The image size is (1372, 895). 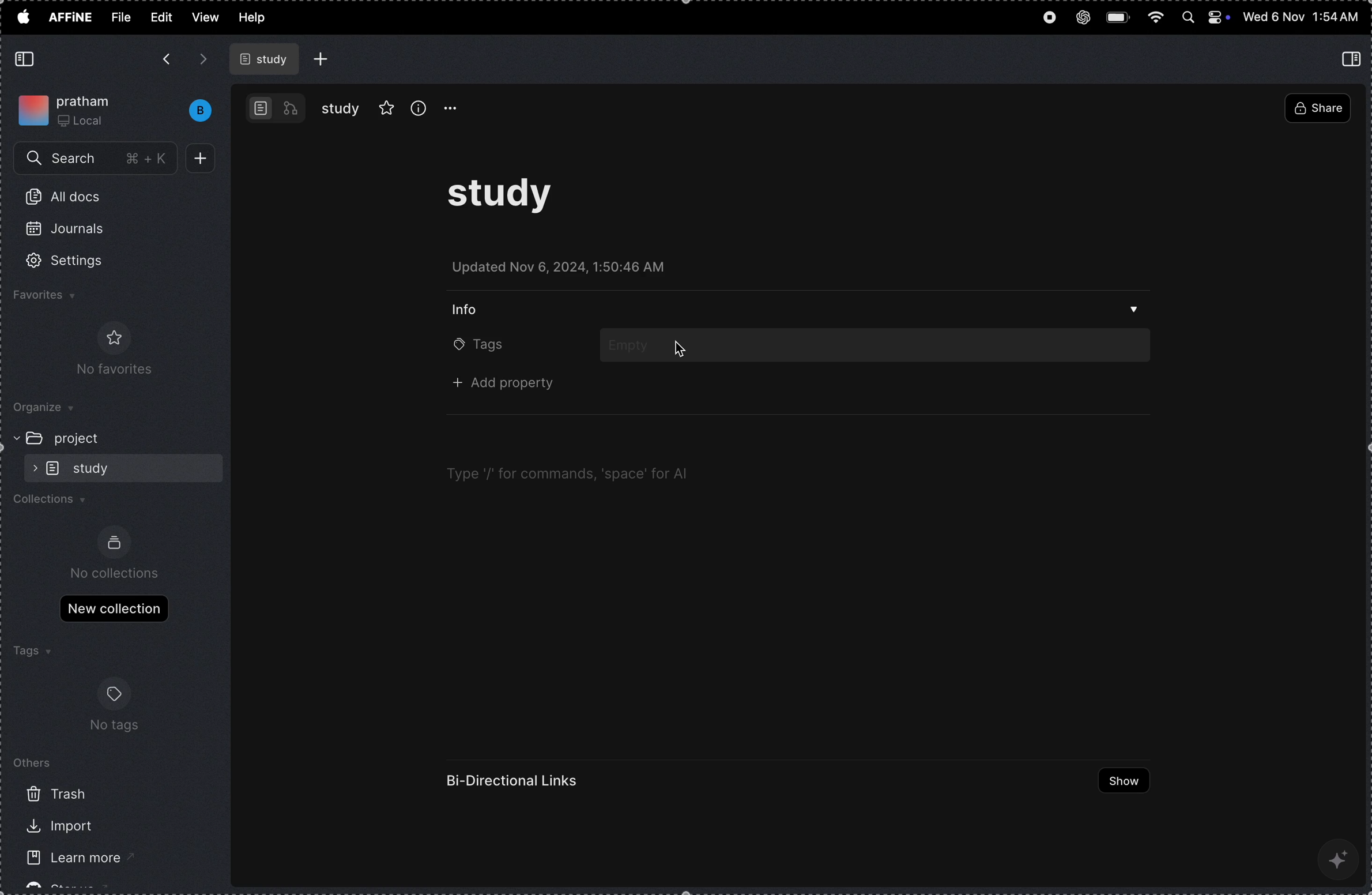 I want to click on collapse side bar, so click(x=27, y=59).